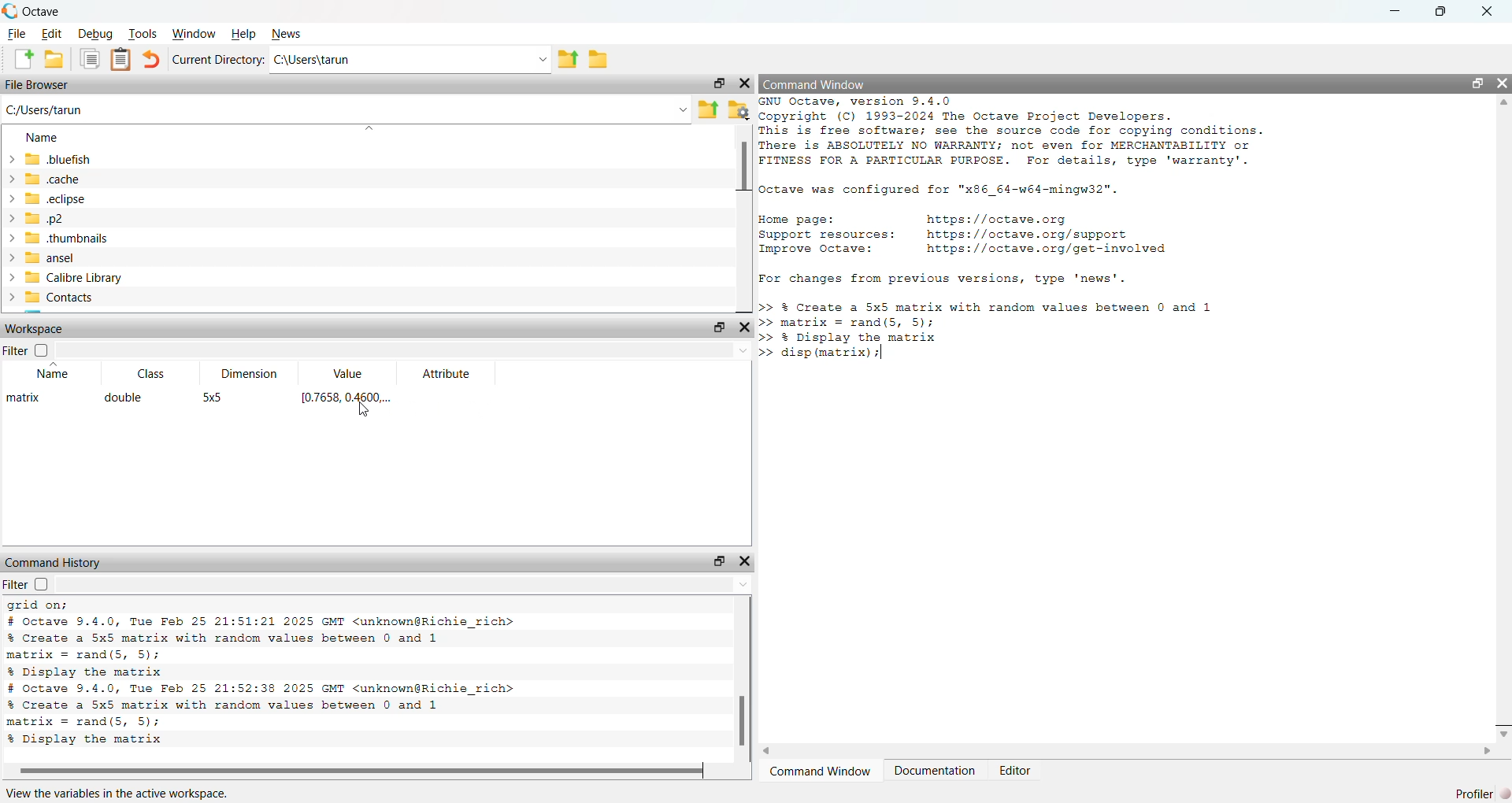 The height and width of the screenshot is (803, 1512). Describe the element at coordinates (46, 219) in the screenshot. I see `p2` at that location.